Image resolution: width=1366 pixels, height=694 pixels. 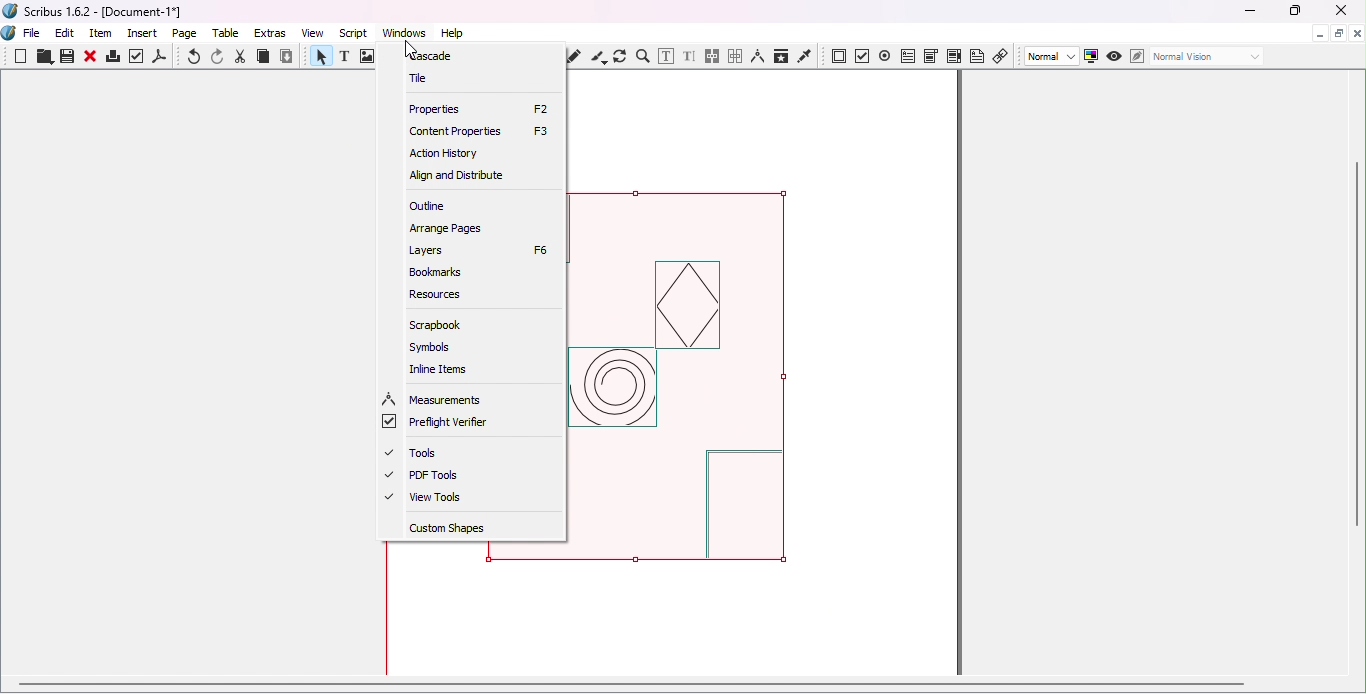 I want to click on Toggle color management system, so click(x=1092, y=55).